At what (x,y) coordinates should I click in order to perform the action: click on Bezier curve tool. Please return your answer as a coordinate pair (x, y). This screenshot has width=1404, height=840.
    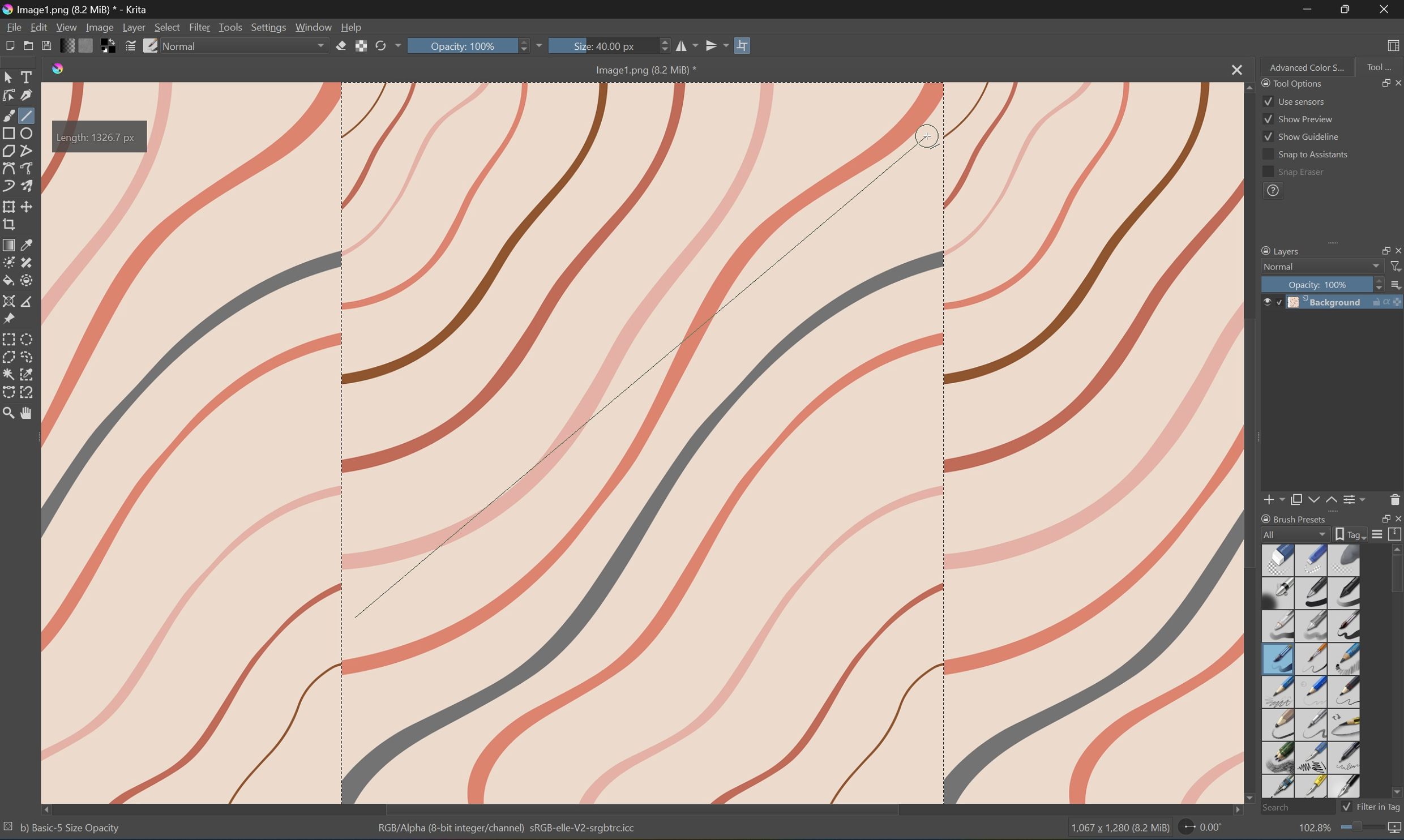
    Looking at the image, I should click on (9, 168).